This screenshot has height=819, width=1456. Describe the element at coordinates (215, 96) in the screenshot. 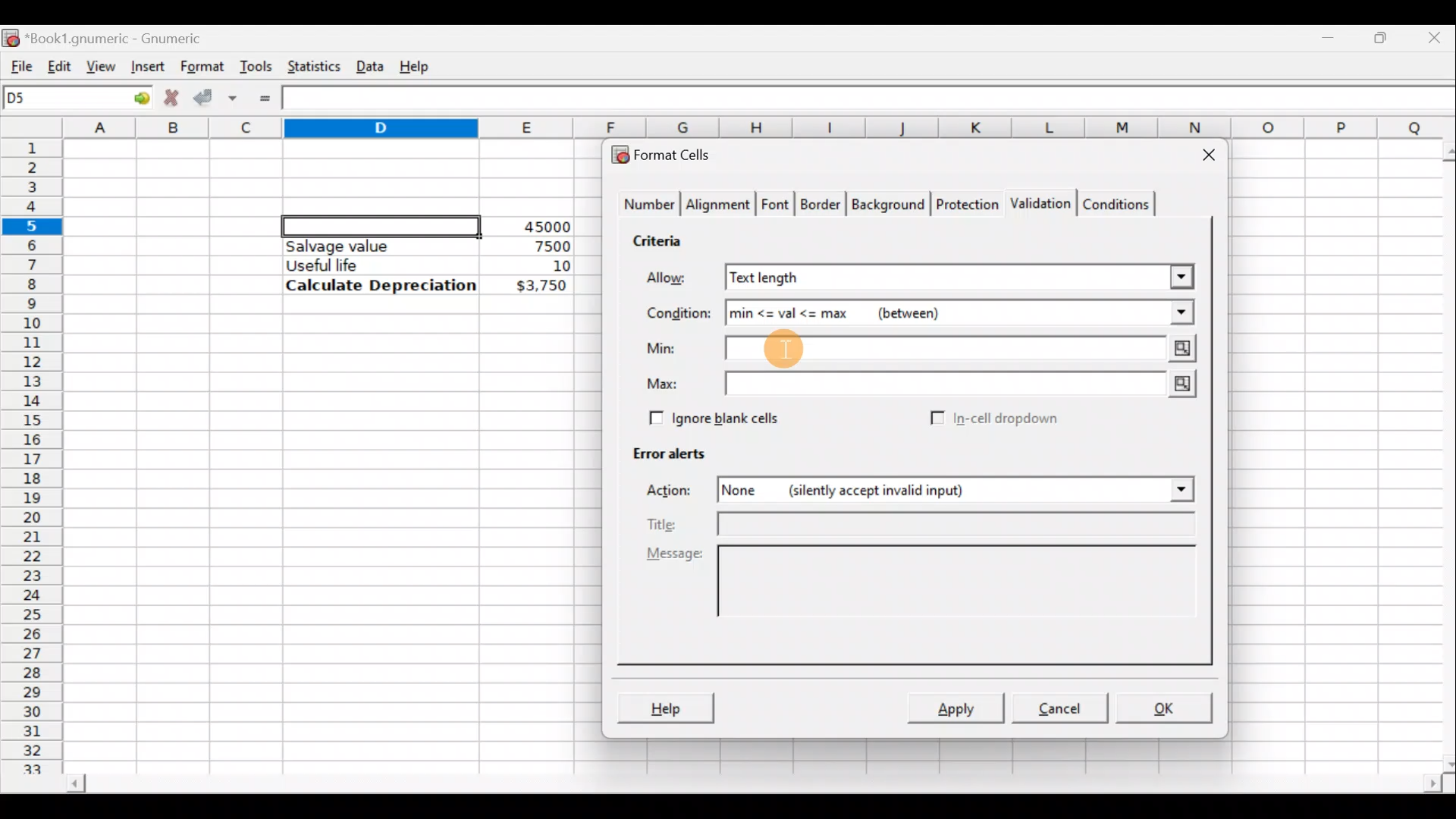

I see `Accept change` at that location.